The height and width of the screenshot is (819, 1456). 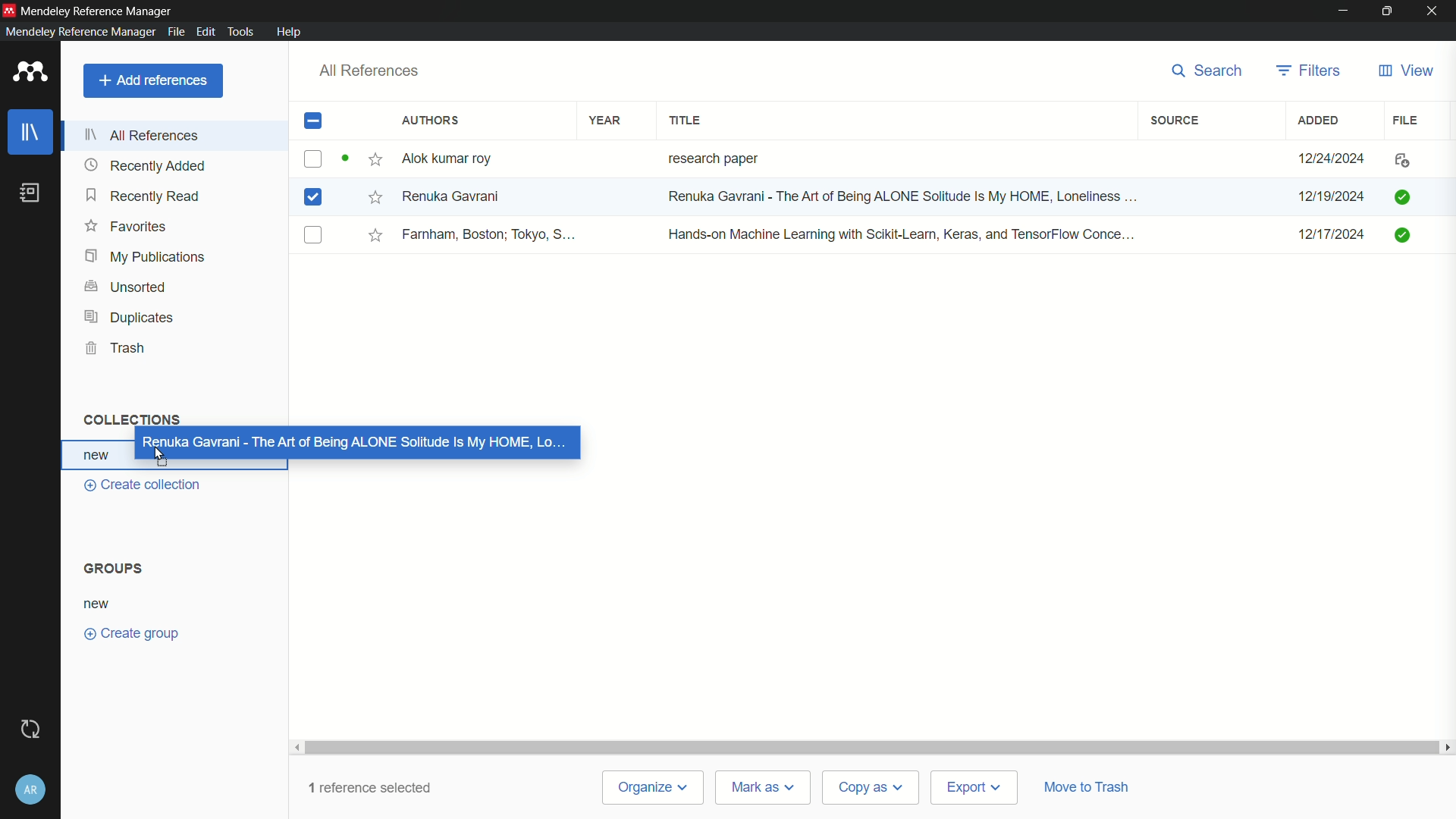 I want to click on edit menu, so click(x=205, y=31).